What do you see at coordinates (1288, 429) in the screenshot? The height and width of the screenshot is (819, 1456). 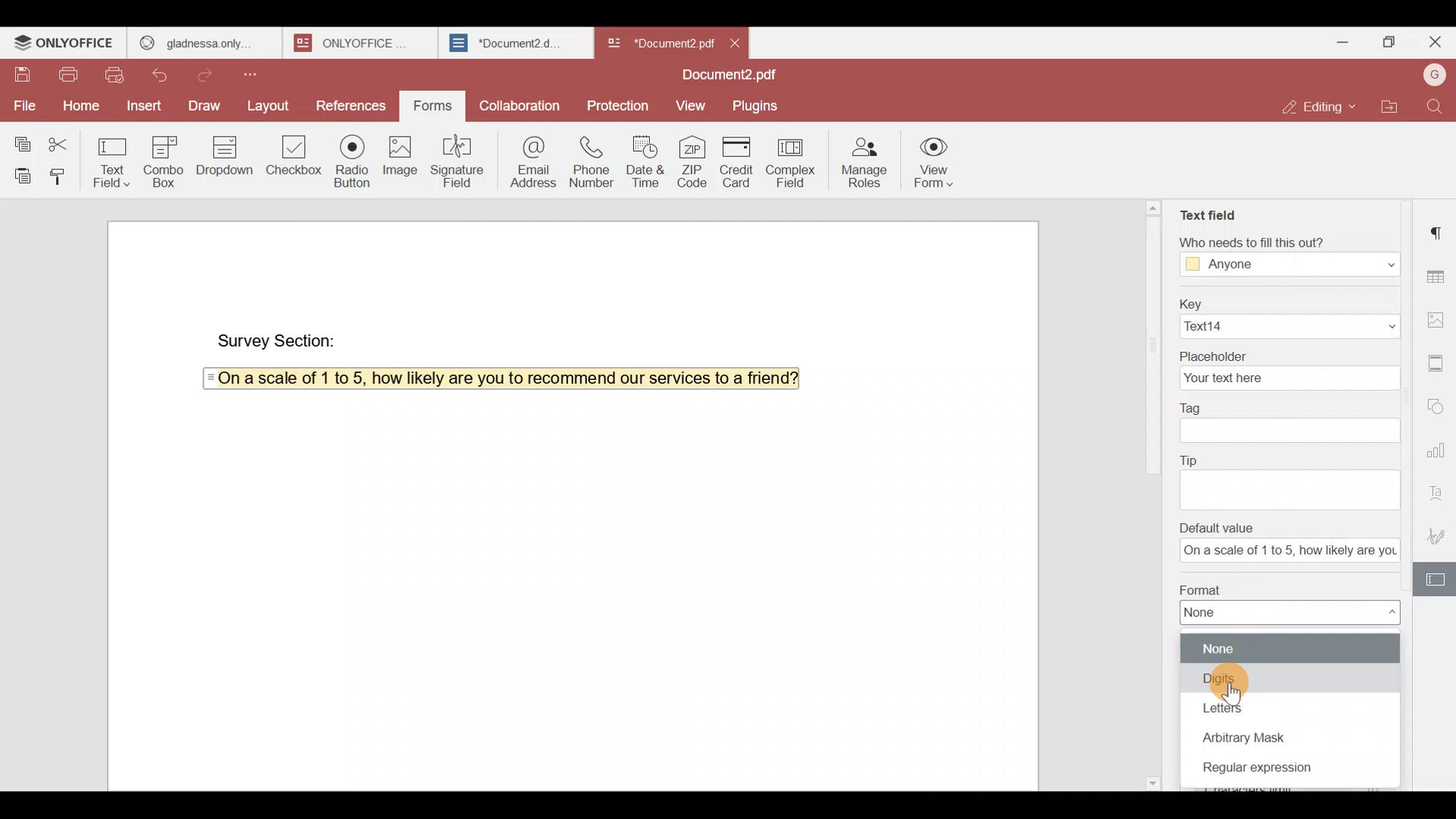 I see `textbox` at bounding box center [1288, 429].